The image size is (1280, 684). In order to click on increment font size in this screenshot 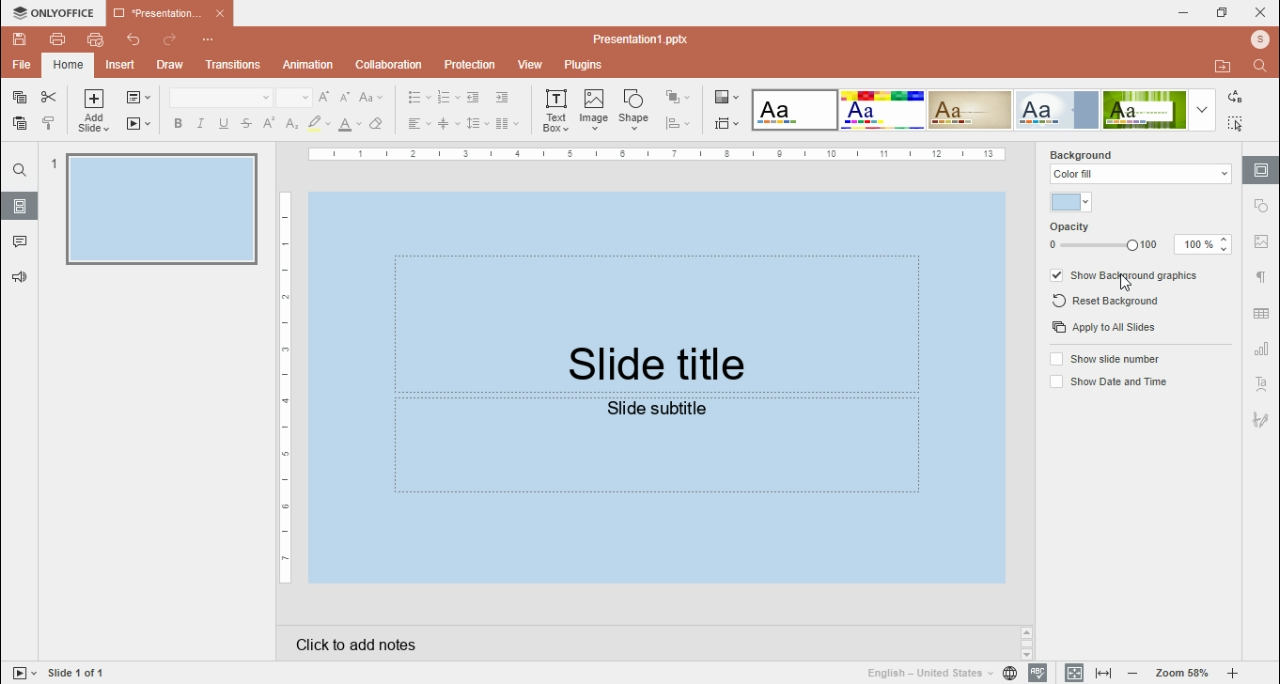, I will do `click(326, 98)`.